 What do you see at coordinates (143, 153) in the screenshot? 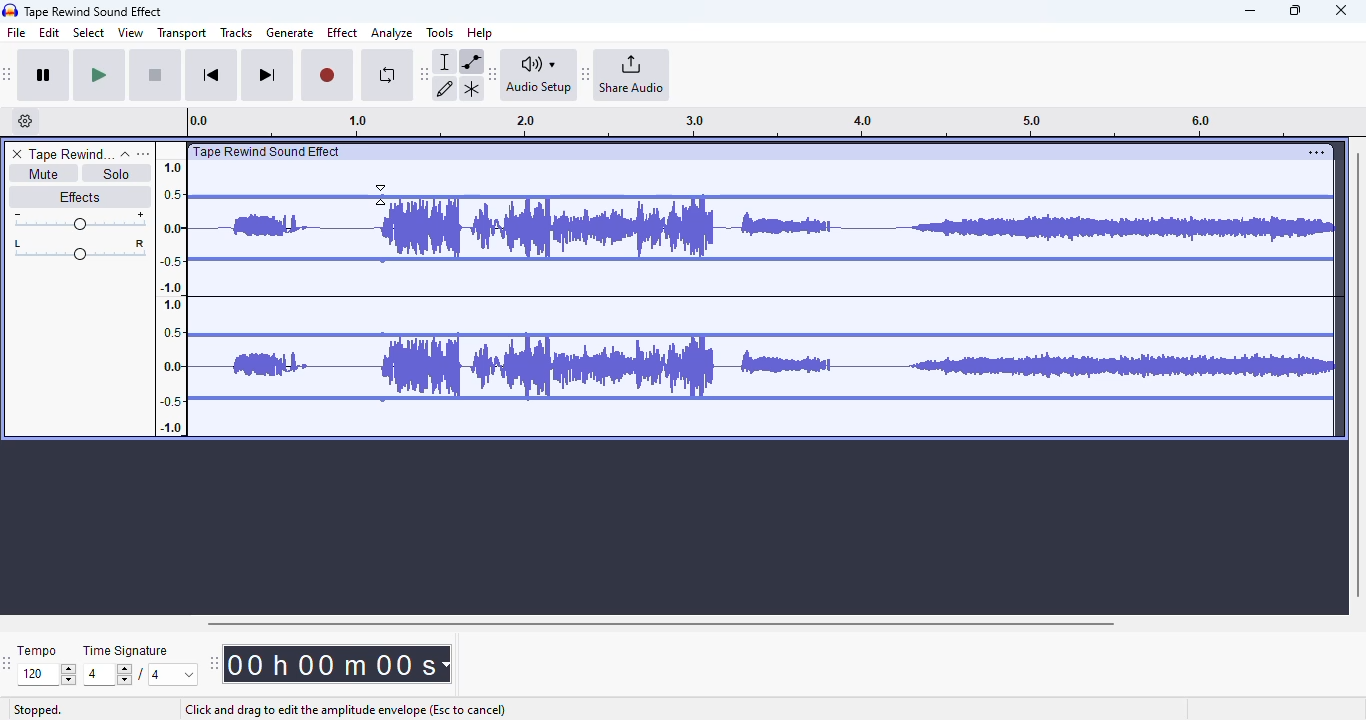
I see `open menu` at bounding box center [143, 153].